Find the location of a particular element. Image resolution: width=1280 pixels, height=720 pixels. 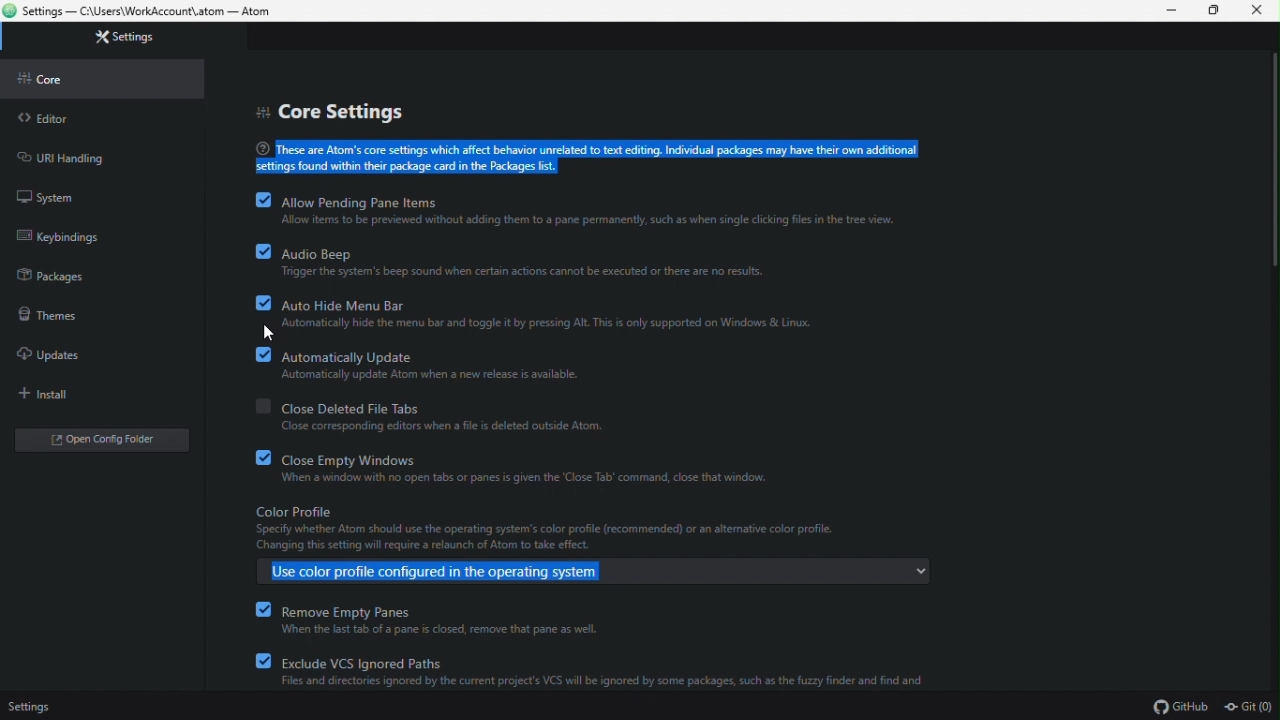

install is located at coordinates (47, 394).